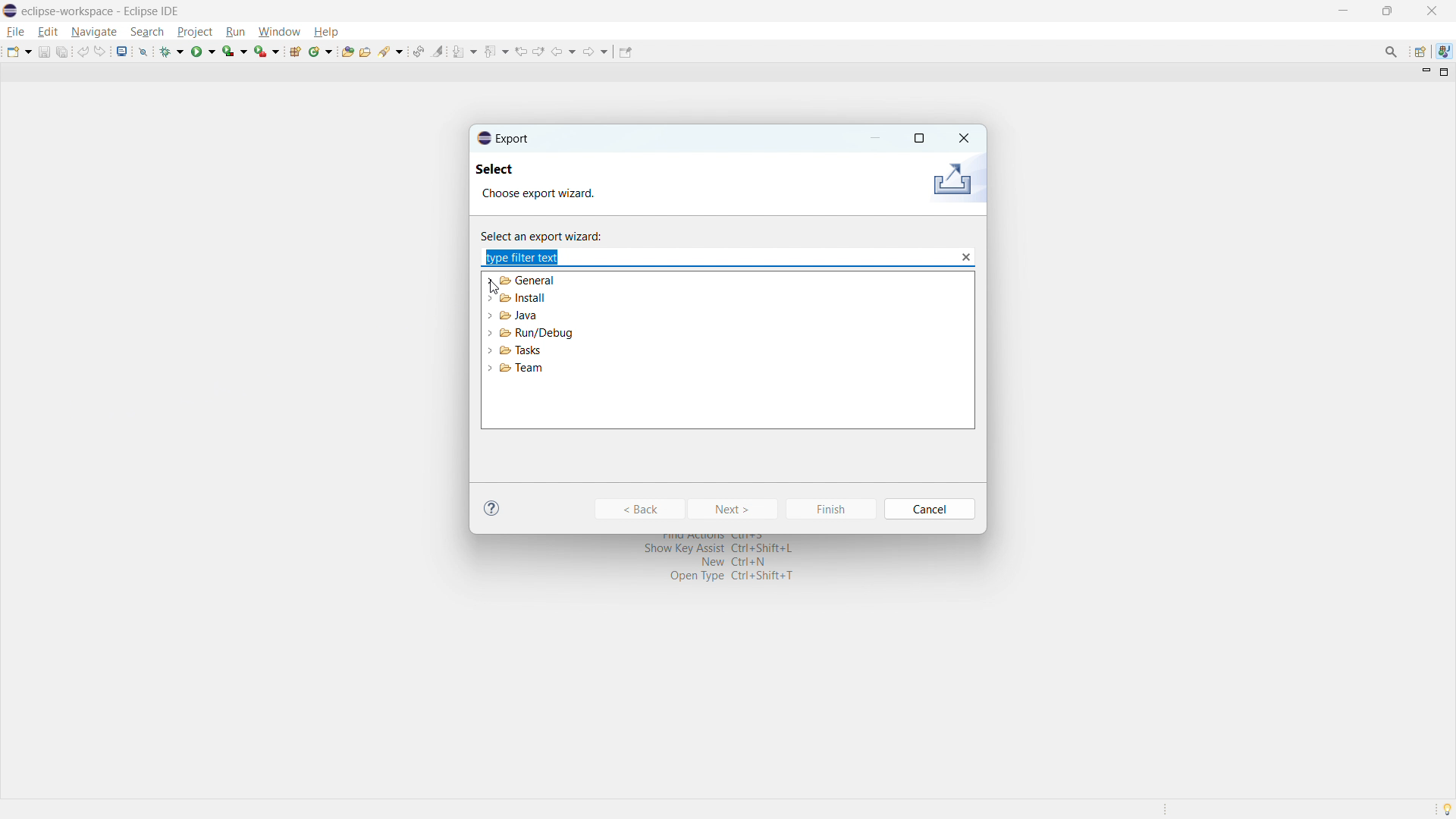 The width and height of the screenshot is (1456, 819). I want to click on Choose export wizard, so click(552, 195).